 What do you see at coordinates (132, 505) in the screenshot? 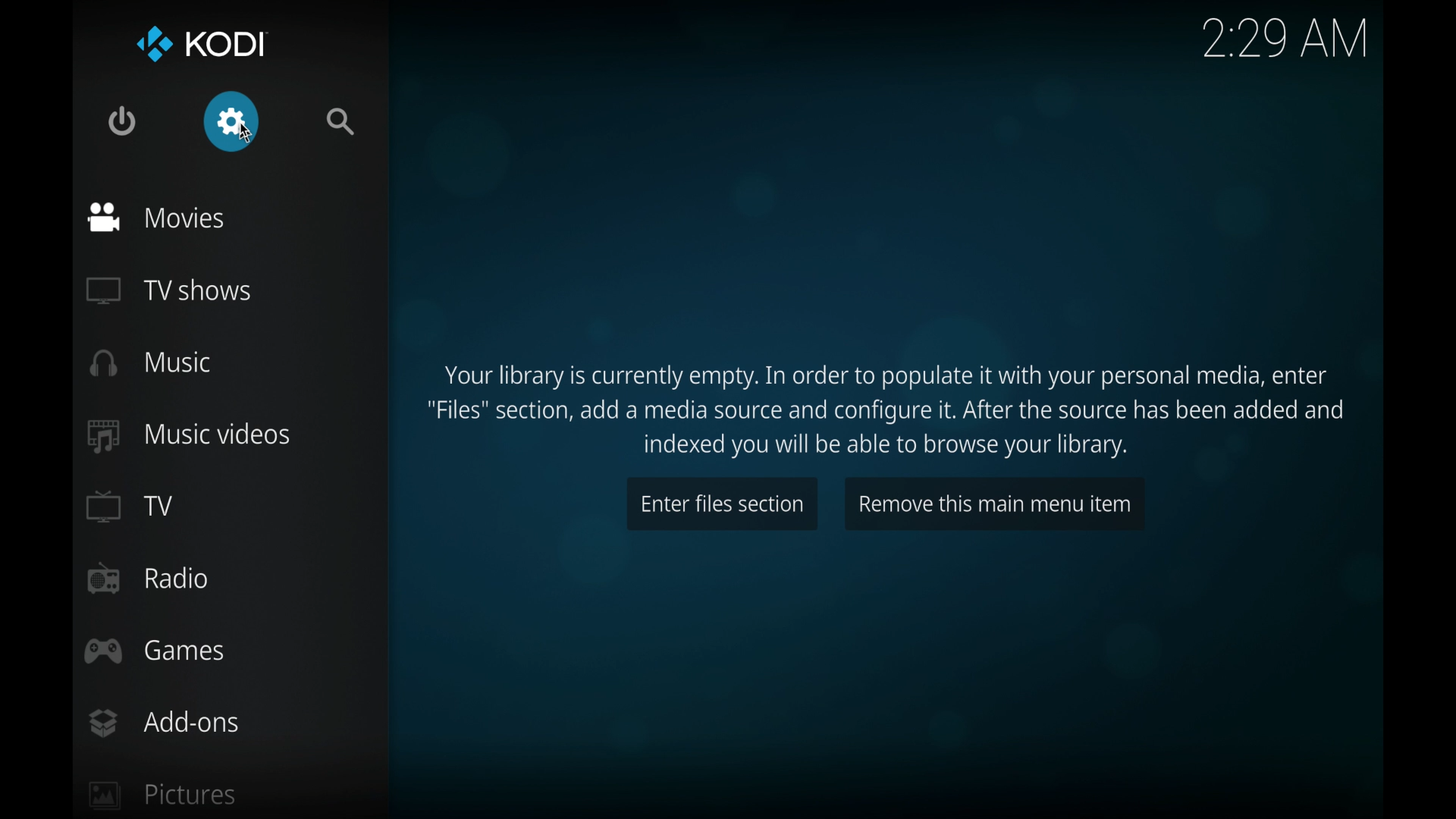
I see `tv` at bounding box center [132, 505].